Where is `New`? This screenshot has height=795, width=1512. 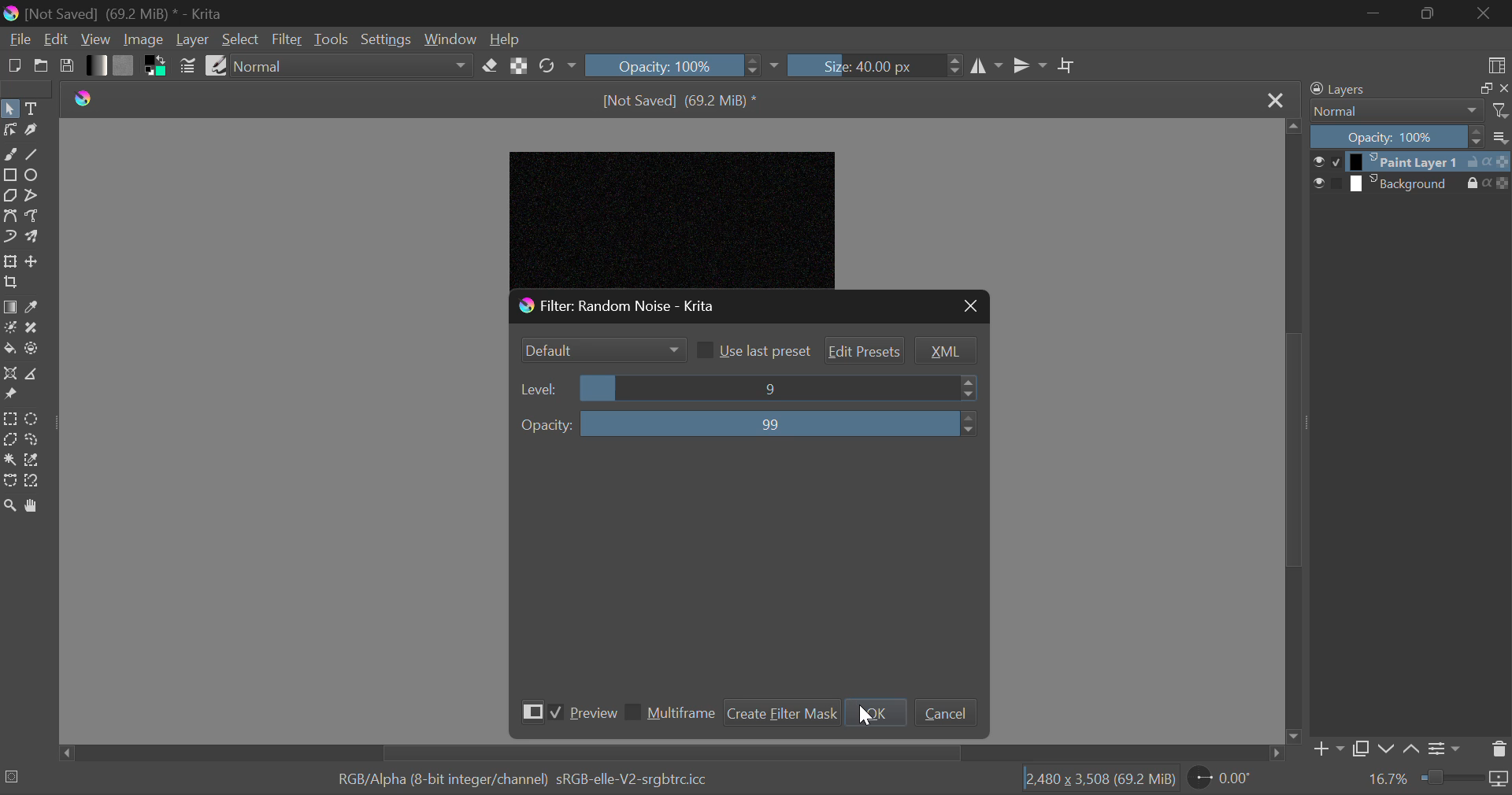
New is located at coordinates (13, 66).